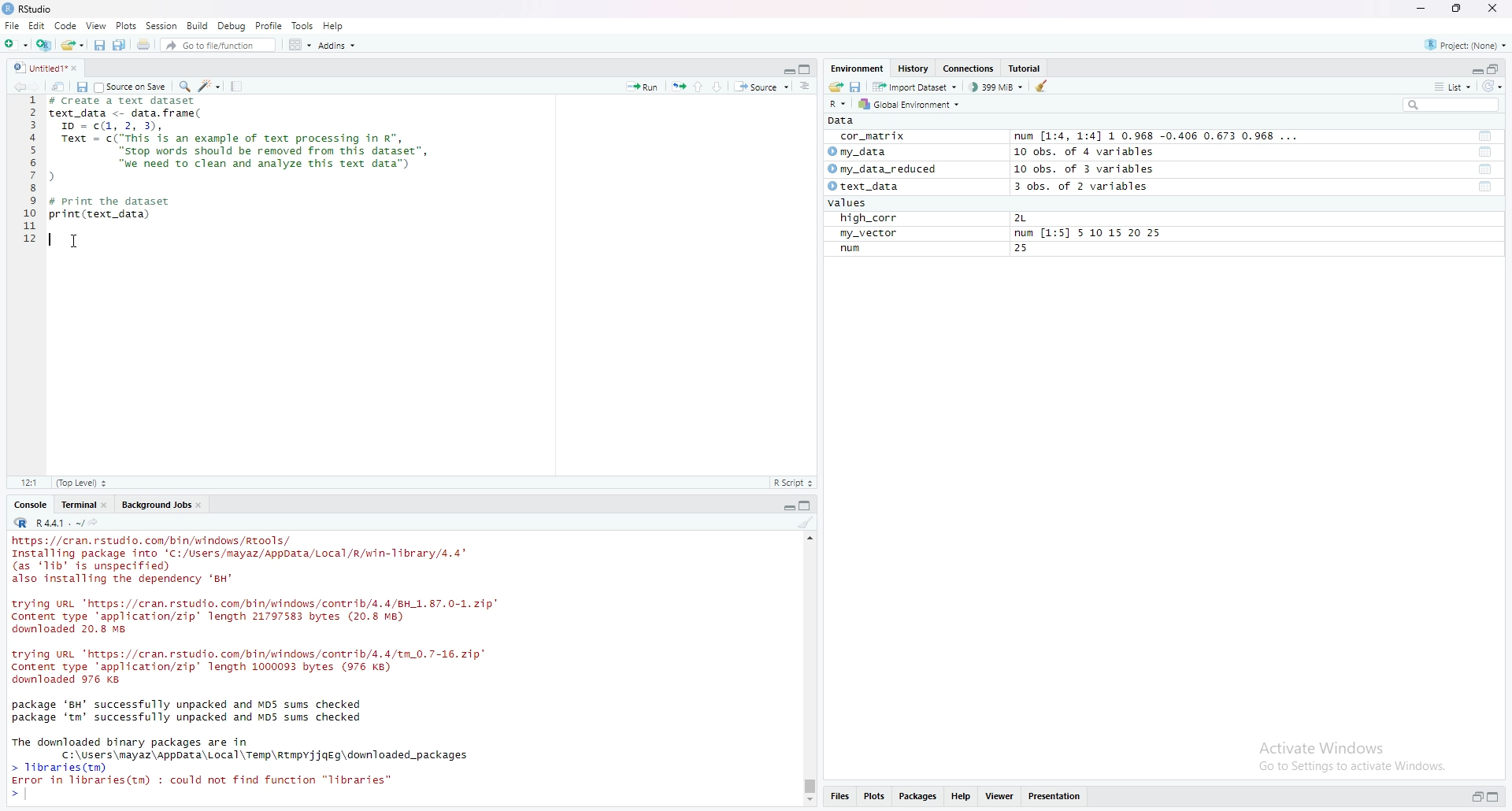 This screenshot has height=811, width=1512. I want to click on minimize, so click(1420, 8).